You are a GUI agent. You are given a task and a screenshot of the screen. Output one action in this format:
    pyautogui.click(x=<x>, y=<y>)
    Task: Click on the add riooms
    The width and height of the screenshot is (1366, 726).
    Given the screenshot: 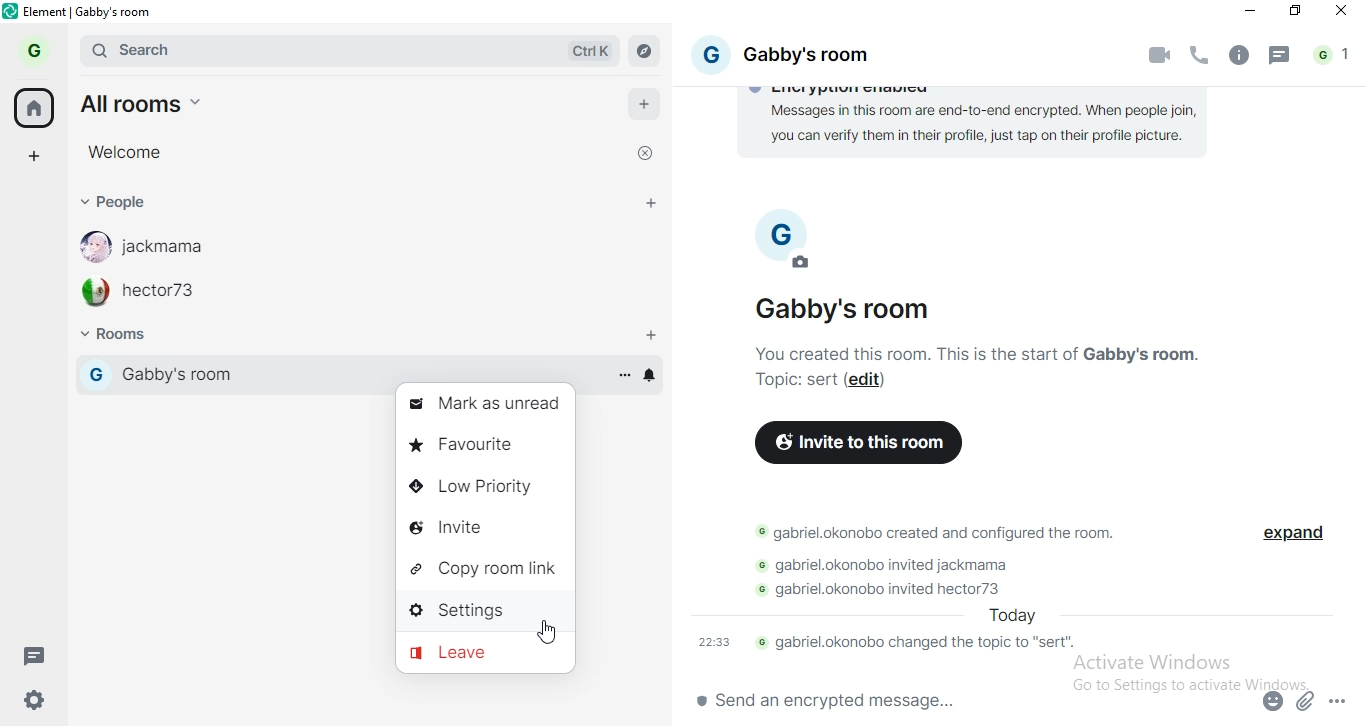 What is the action you would take?
    pyautogui.click(x=652, y=336)
    